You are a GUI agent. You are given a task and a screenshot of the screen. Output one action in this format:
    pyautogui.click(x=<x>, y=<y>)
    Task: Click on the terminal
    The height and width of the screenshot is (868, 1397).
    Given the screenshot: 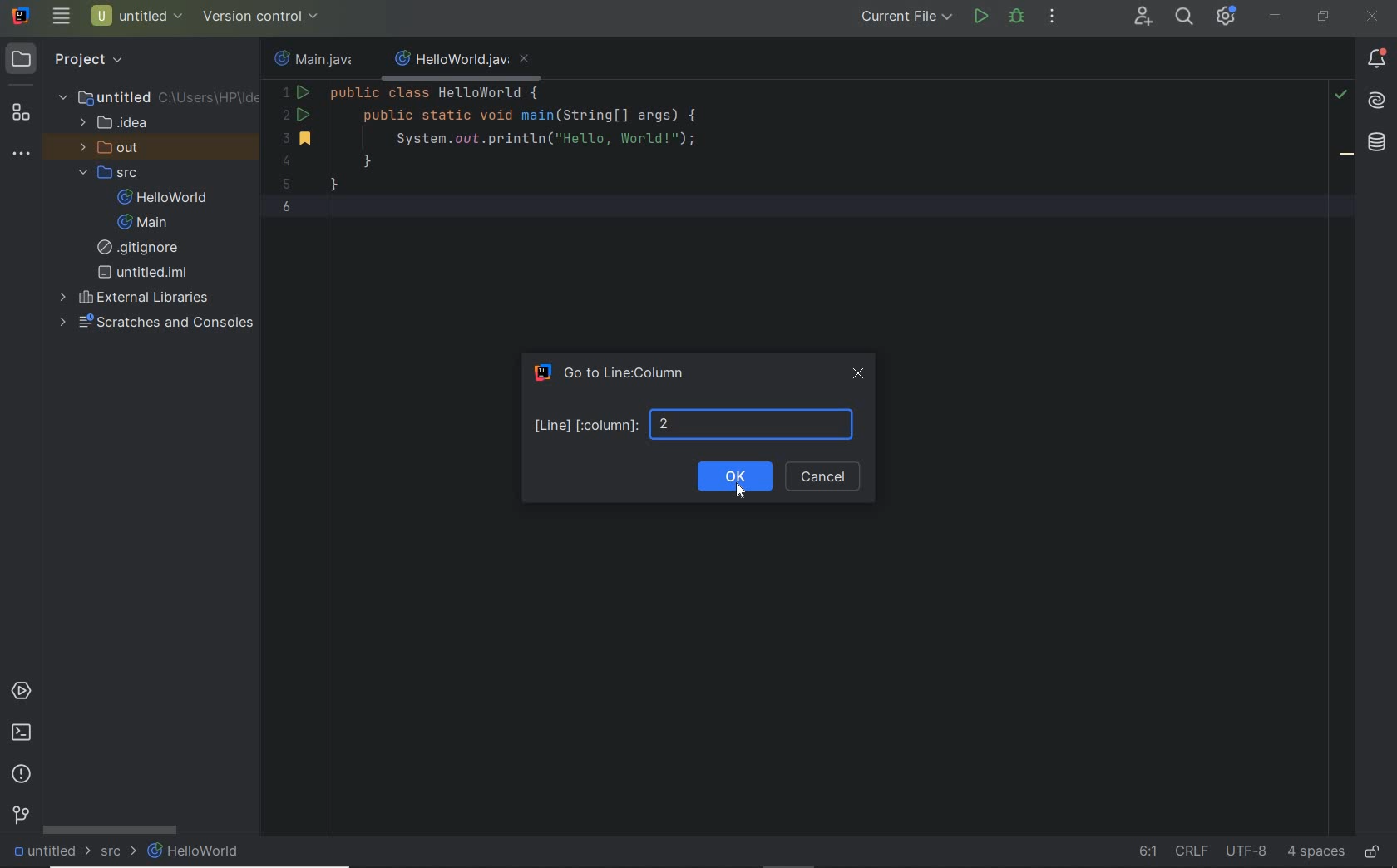 What is the action you would take?
    pyautogui.click(x=21, y=733)
    